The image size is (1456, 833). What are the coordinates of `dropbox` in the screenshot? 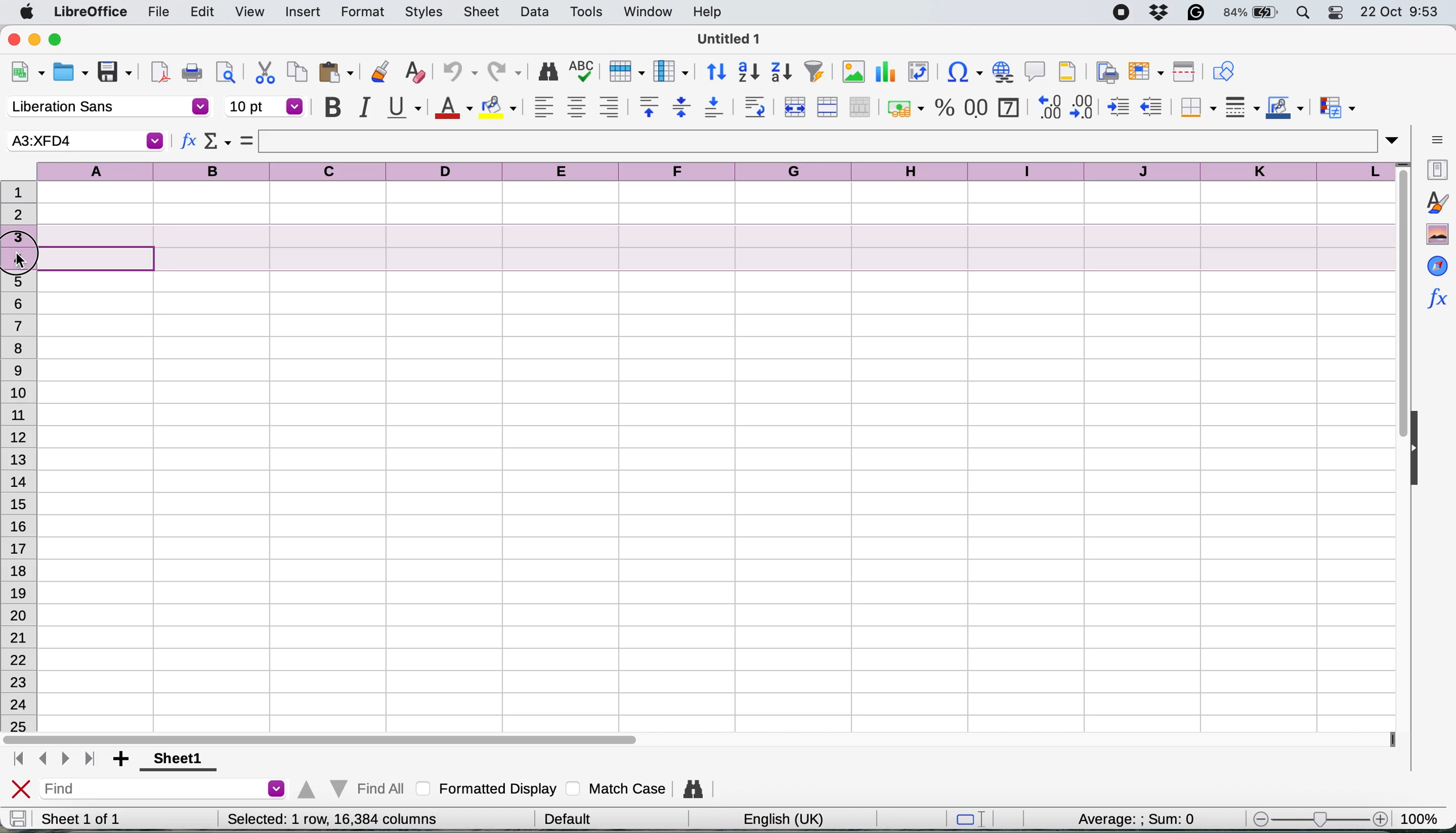 It's located at (1163, 12).